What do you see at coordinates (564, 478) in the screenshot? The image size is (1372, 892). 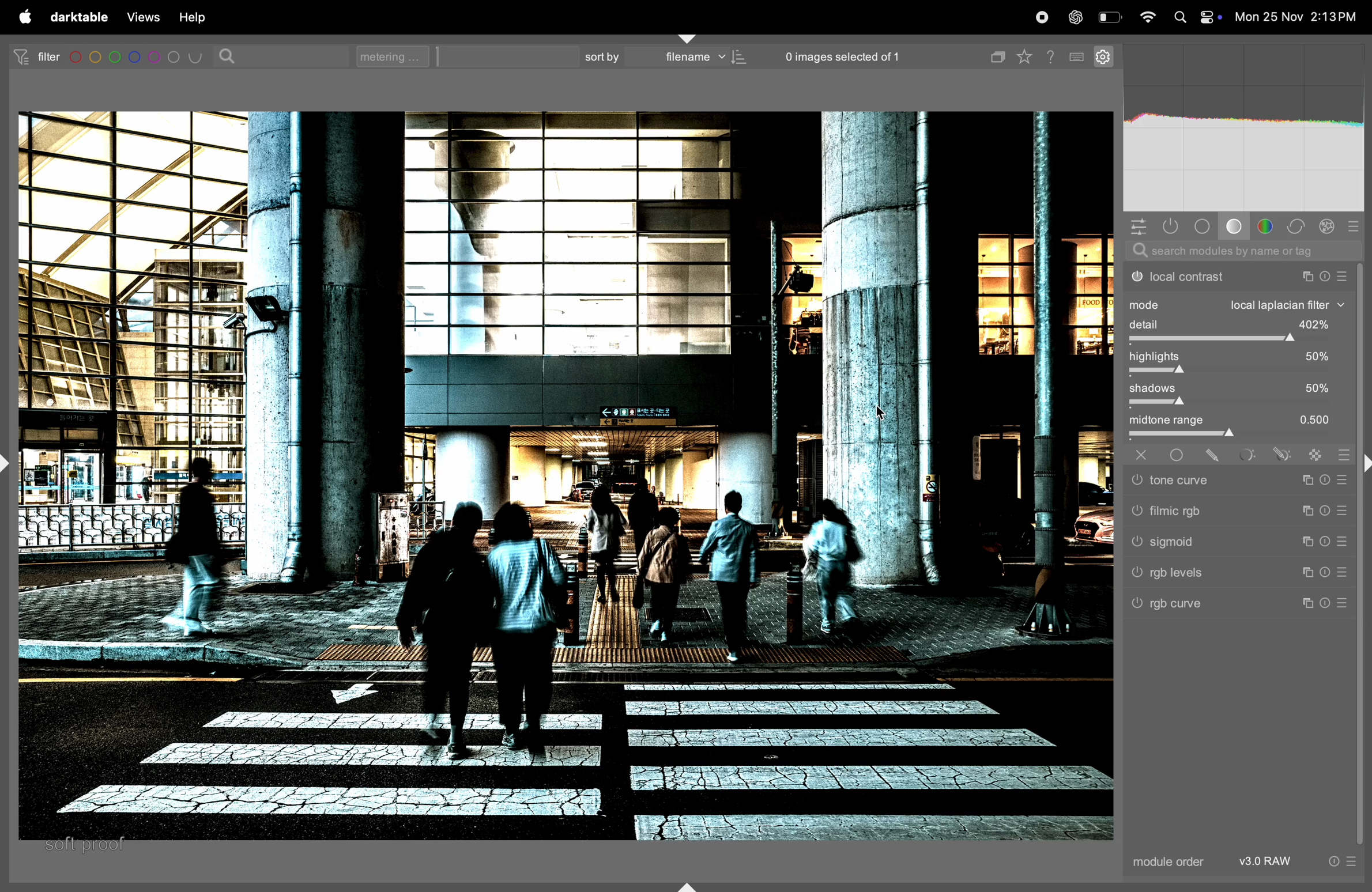 I see `image` at bounding box center [564, 478].